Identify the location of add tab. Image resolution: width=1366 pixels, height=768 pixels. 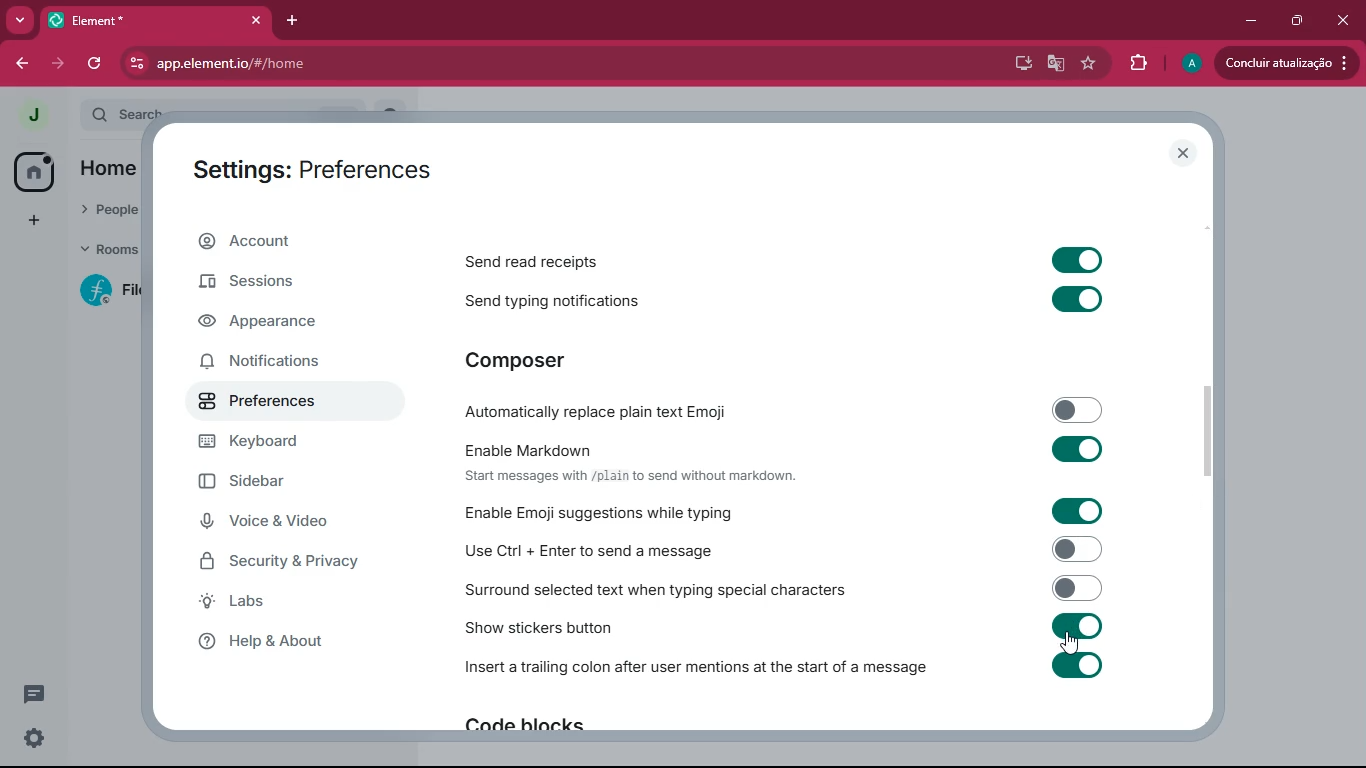
(296, 20).